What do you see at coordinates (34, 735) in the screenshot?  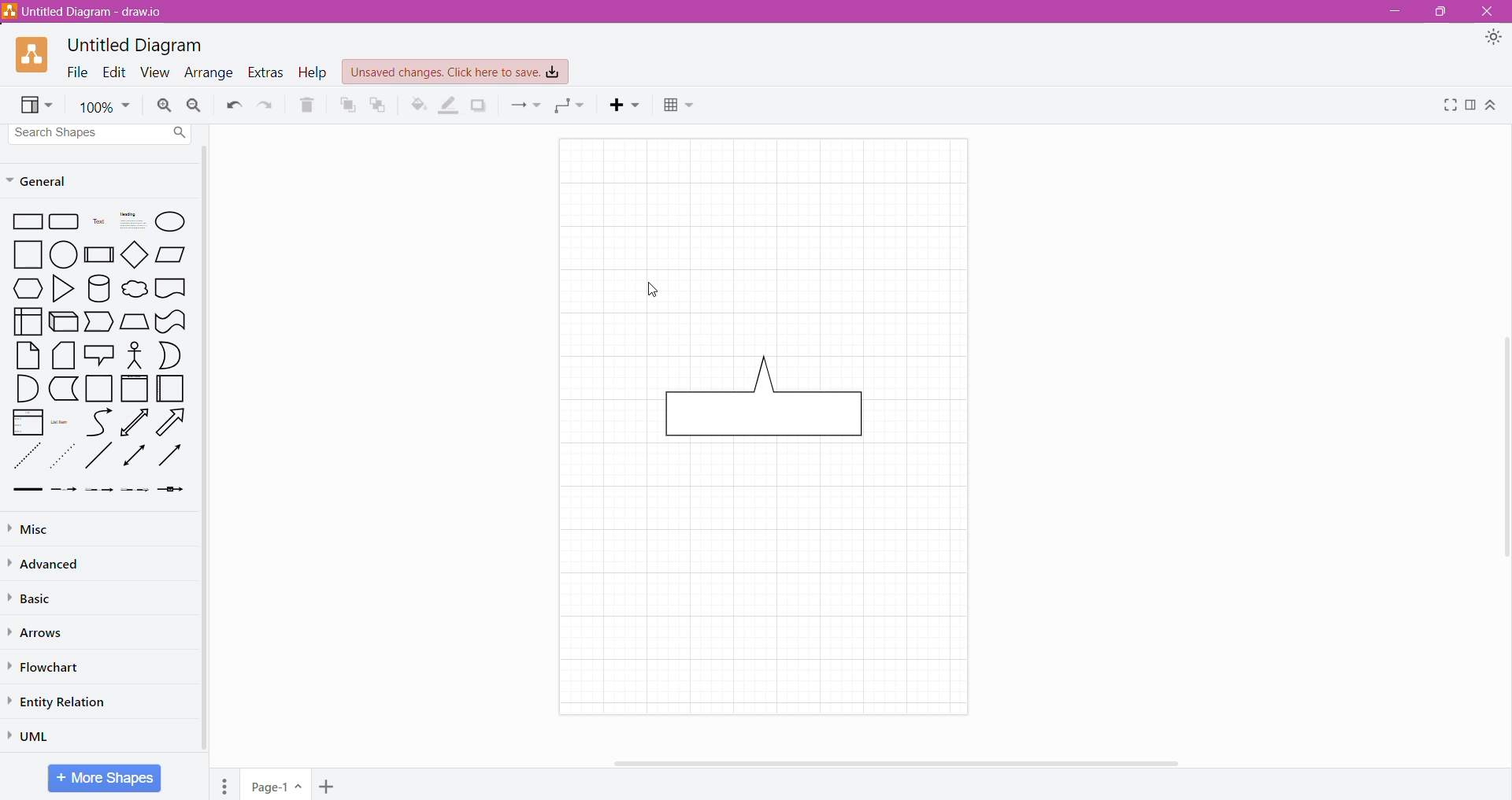 I see `UM` at bounding box center [34, 735].